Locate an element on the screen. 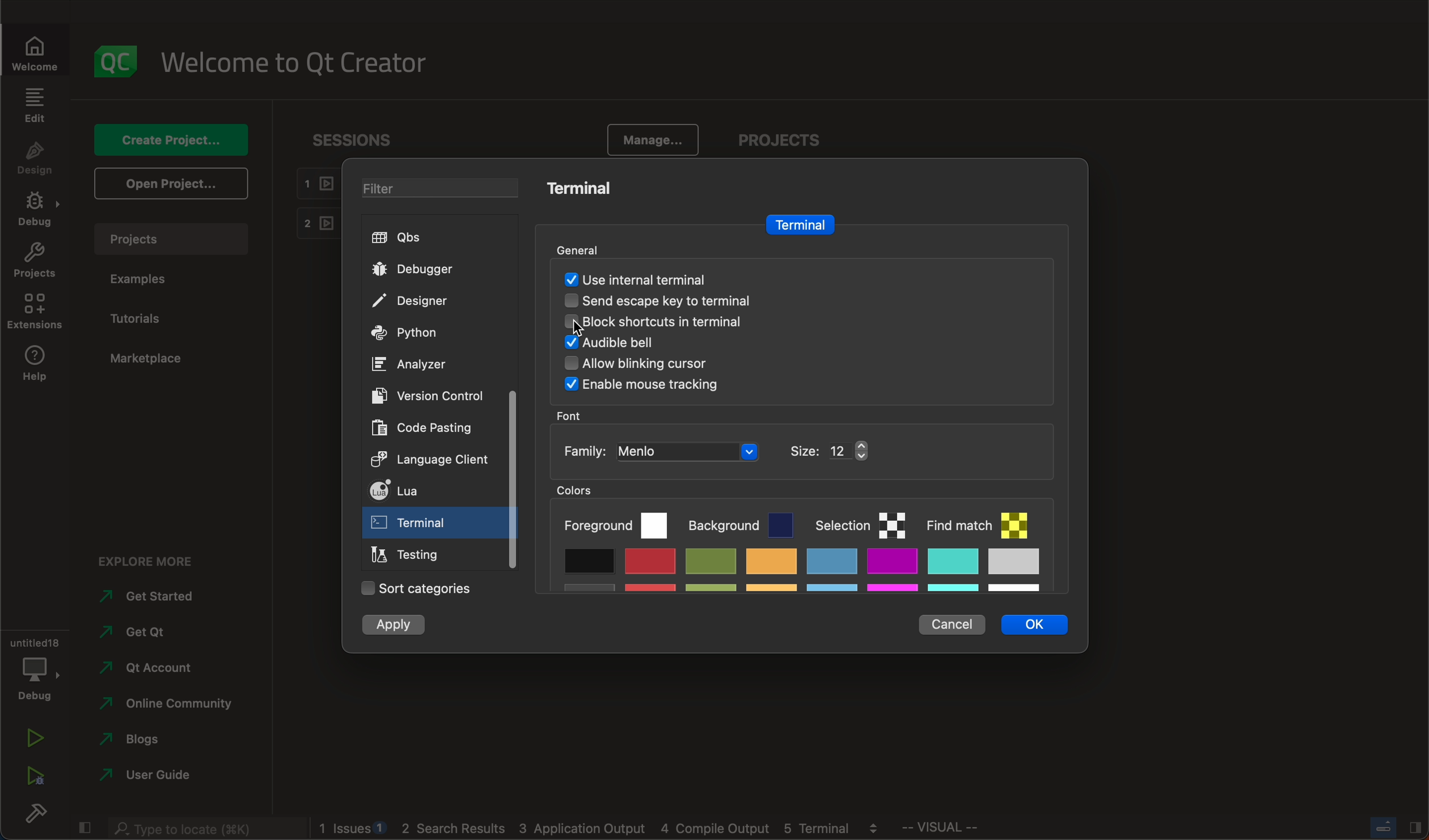  account is located at coordinates (152, 664).